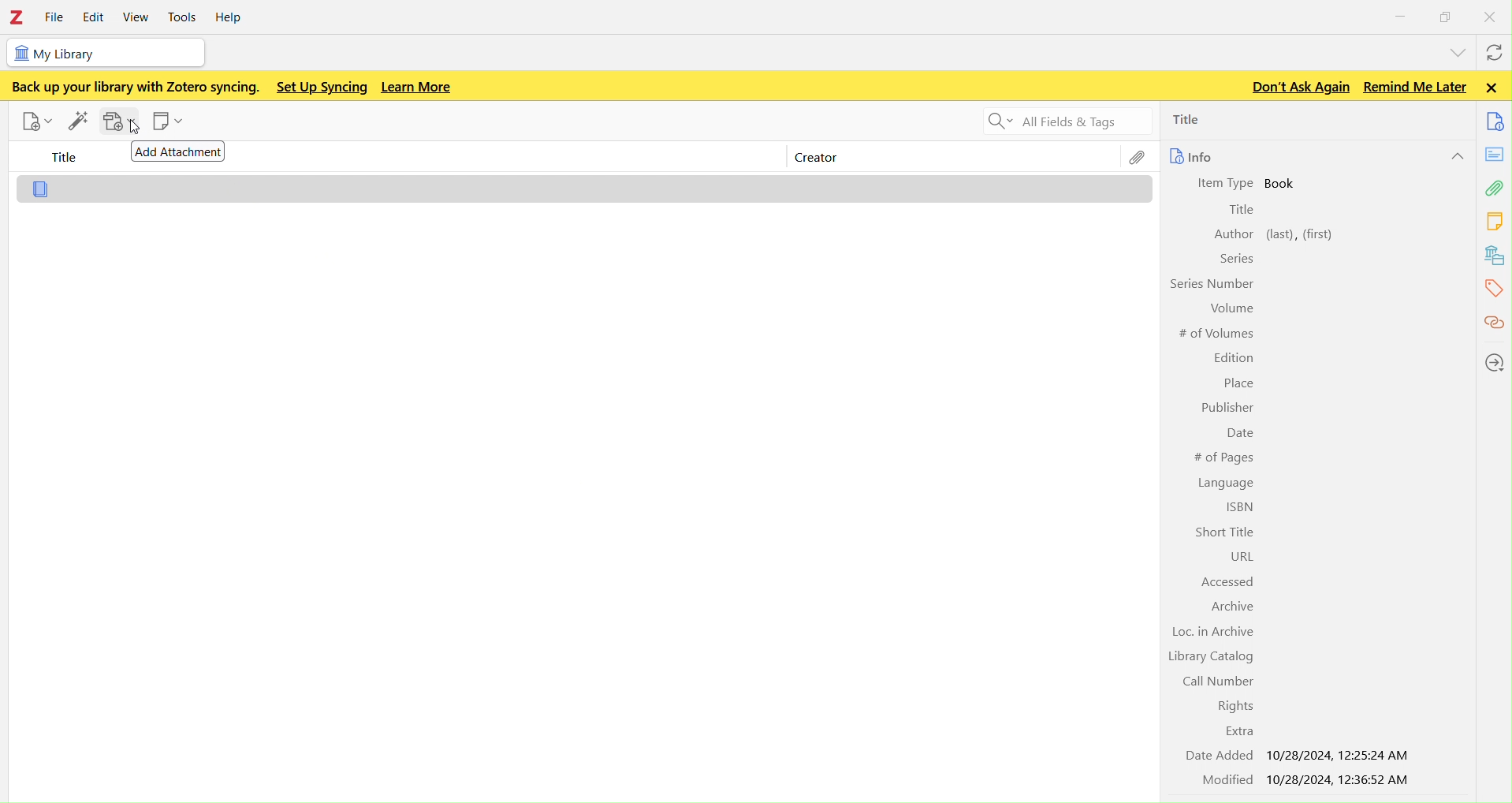 The width and height of the screenshot is (1512, 803). I want to click on Rights, so click(1236, 706).